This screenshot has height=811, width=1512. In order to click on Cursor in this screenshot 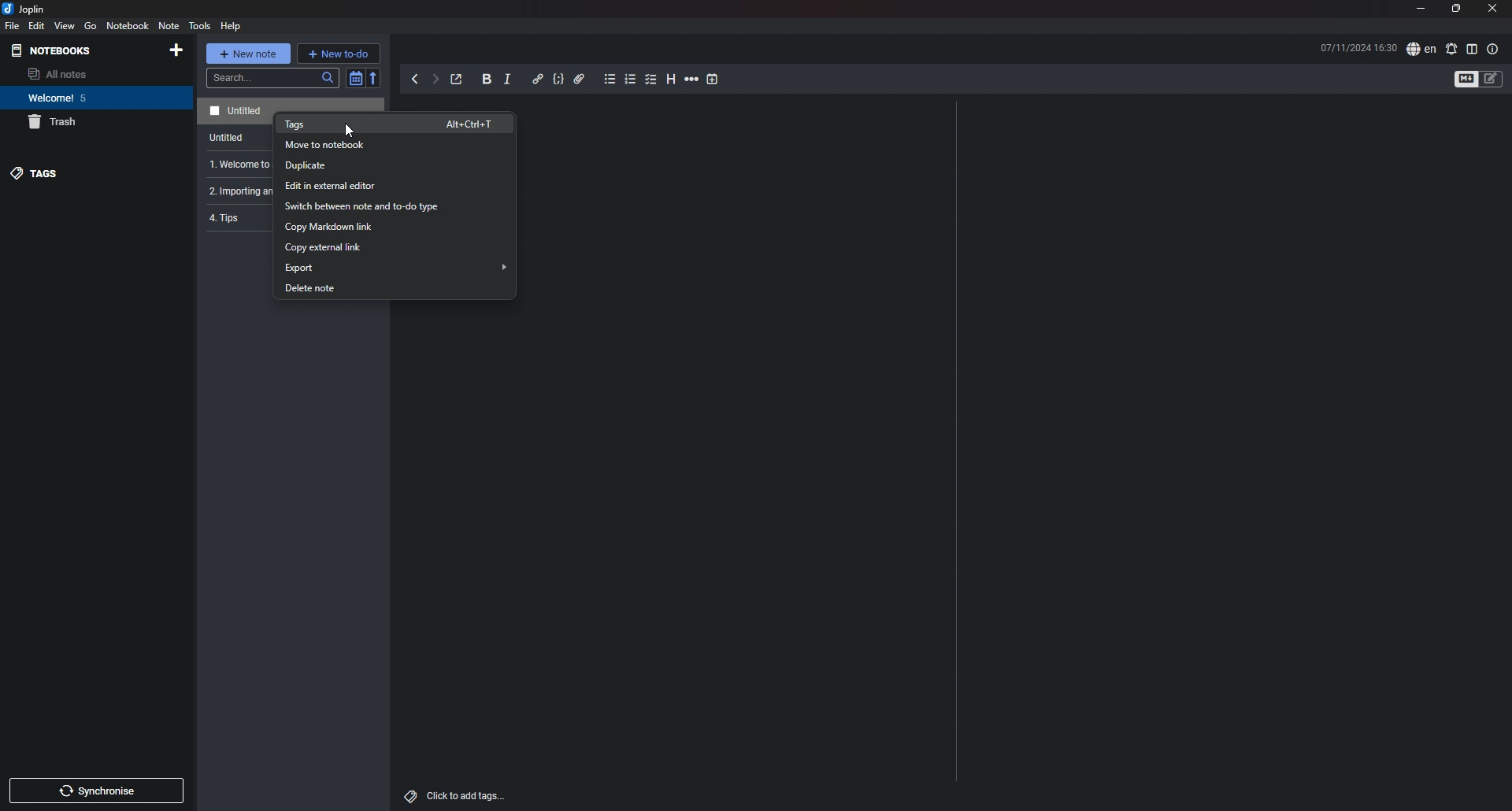, I will do `click(346, 132)`.